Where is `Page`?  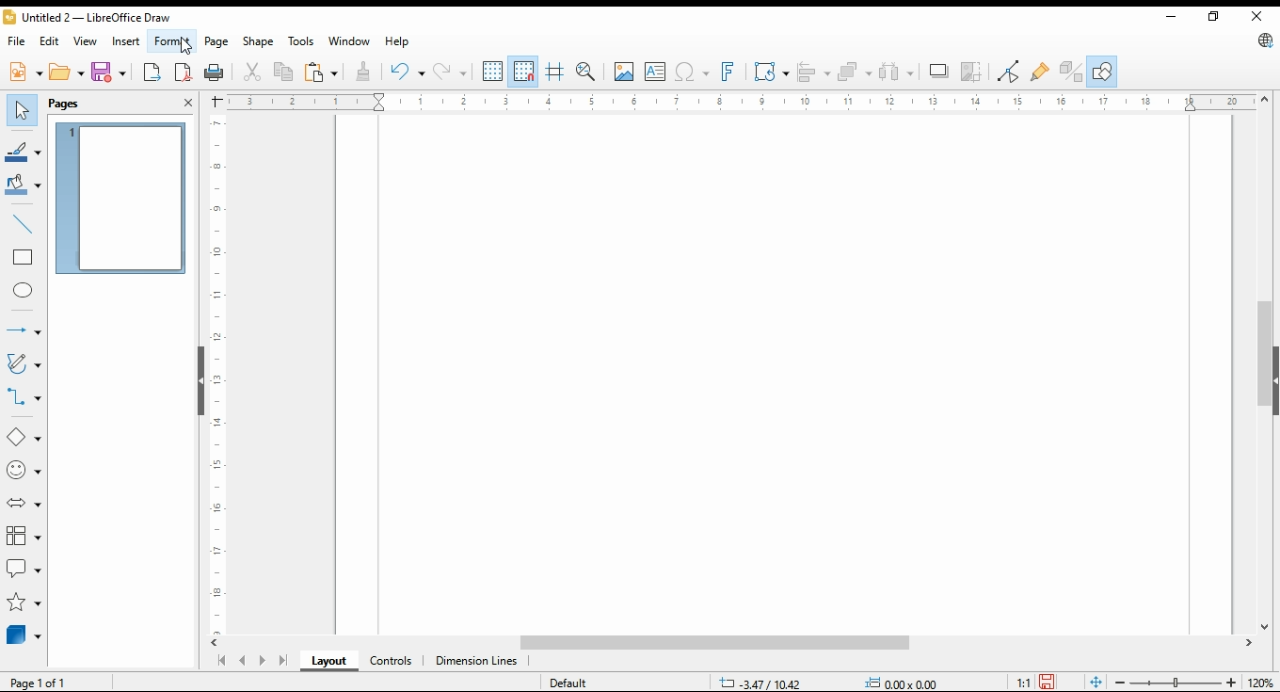
Page is located at coordinates (767, 375).